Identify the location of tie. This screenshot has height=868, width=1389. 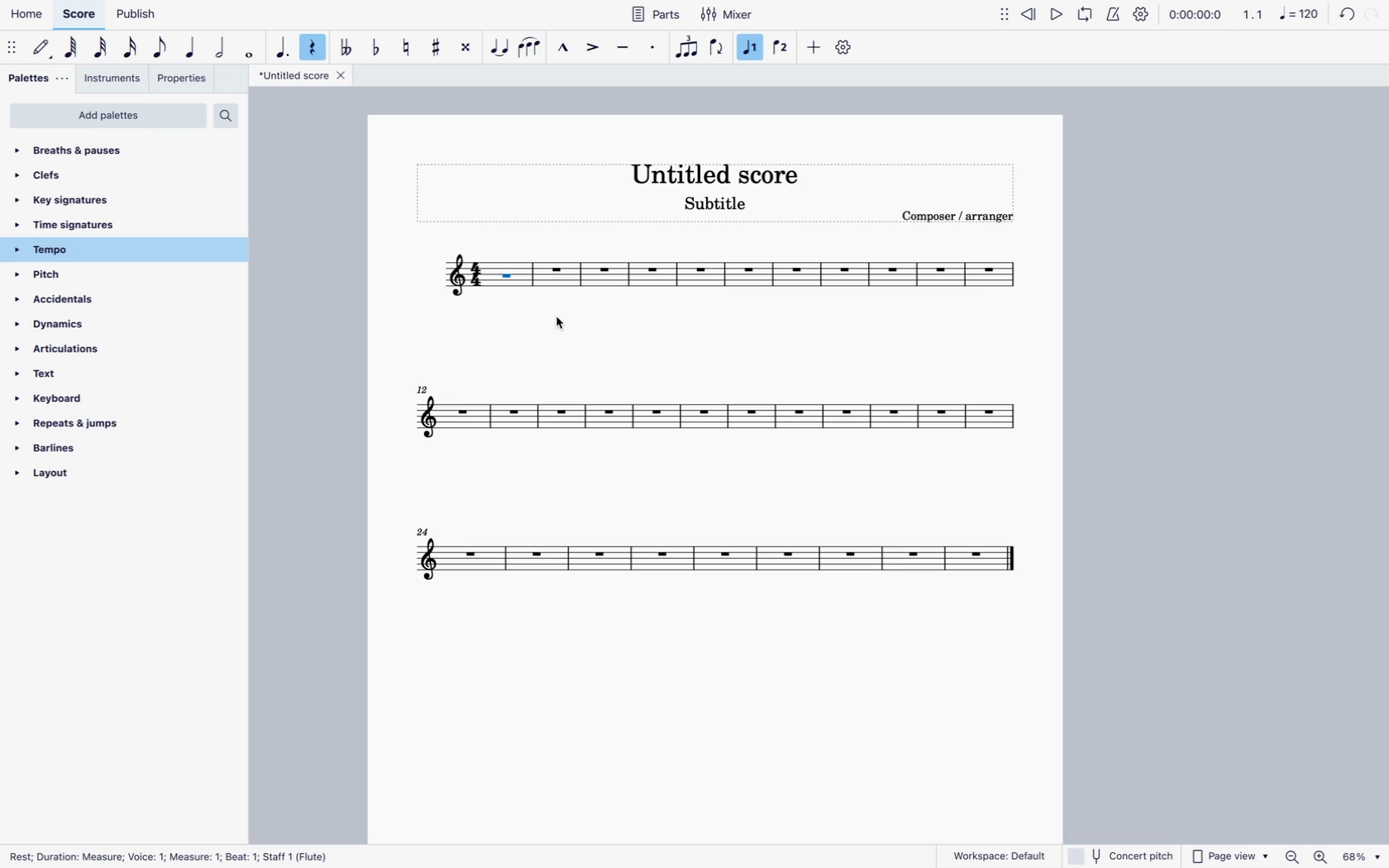
(499, 48).